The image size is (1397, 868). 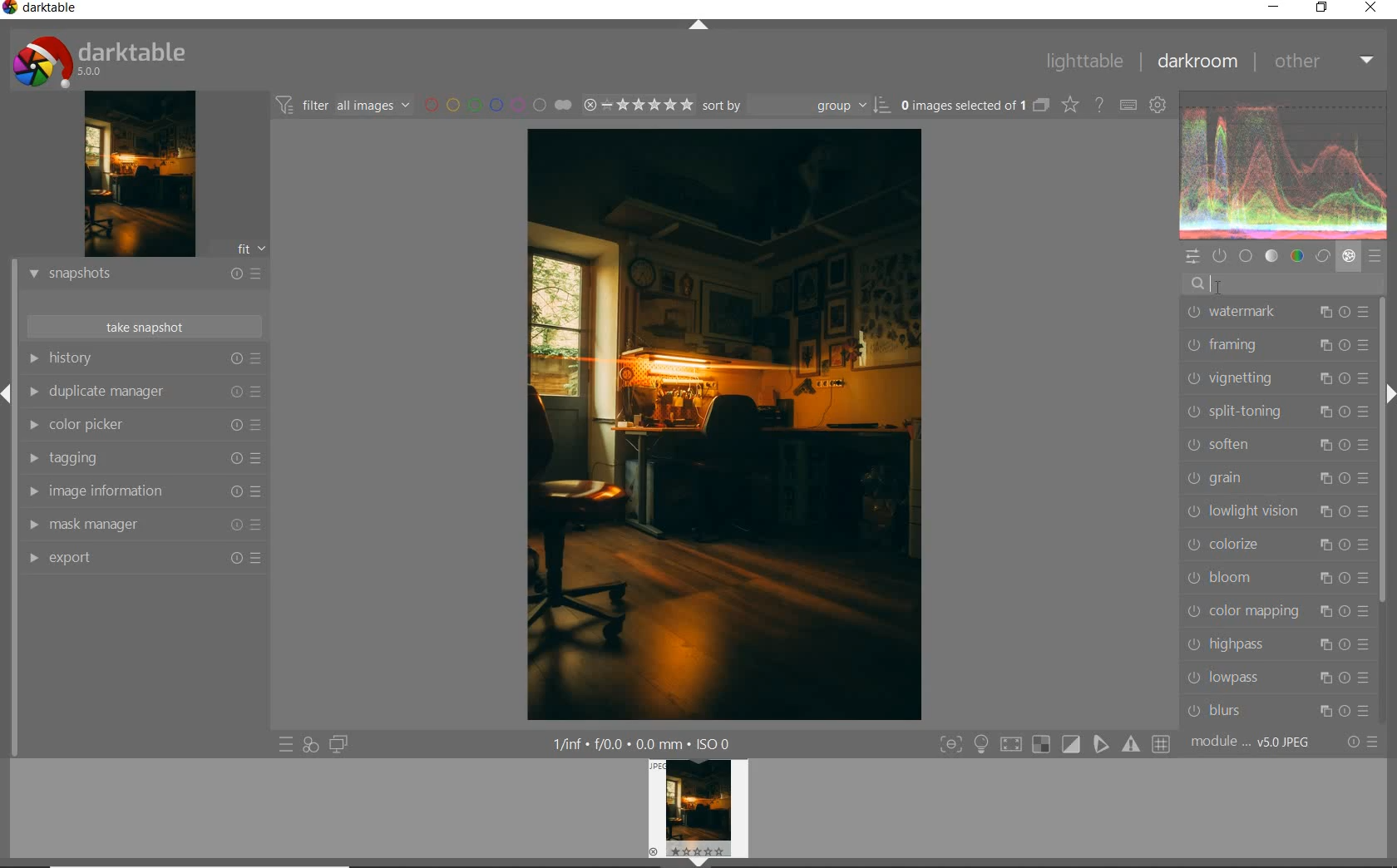 What do you see at coordinates (1128, 106) in the screenshot?
I see `set keyboard shortcuts` at bounding box center [1128, 106].